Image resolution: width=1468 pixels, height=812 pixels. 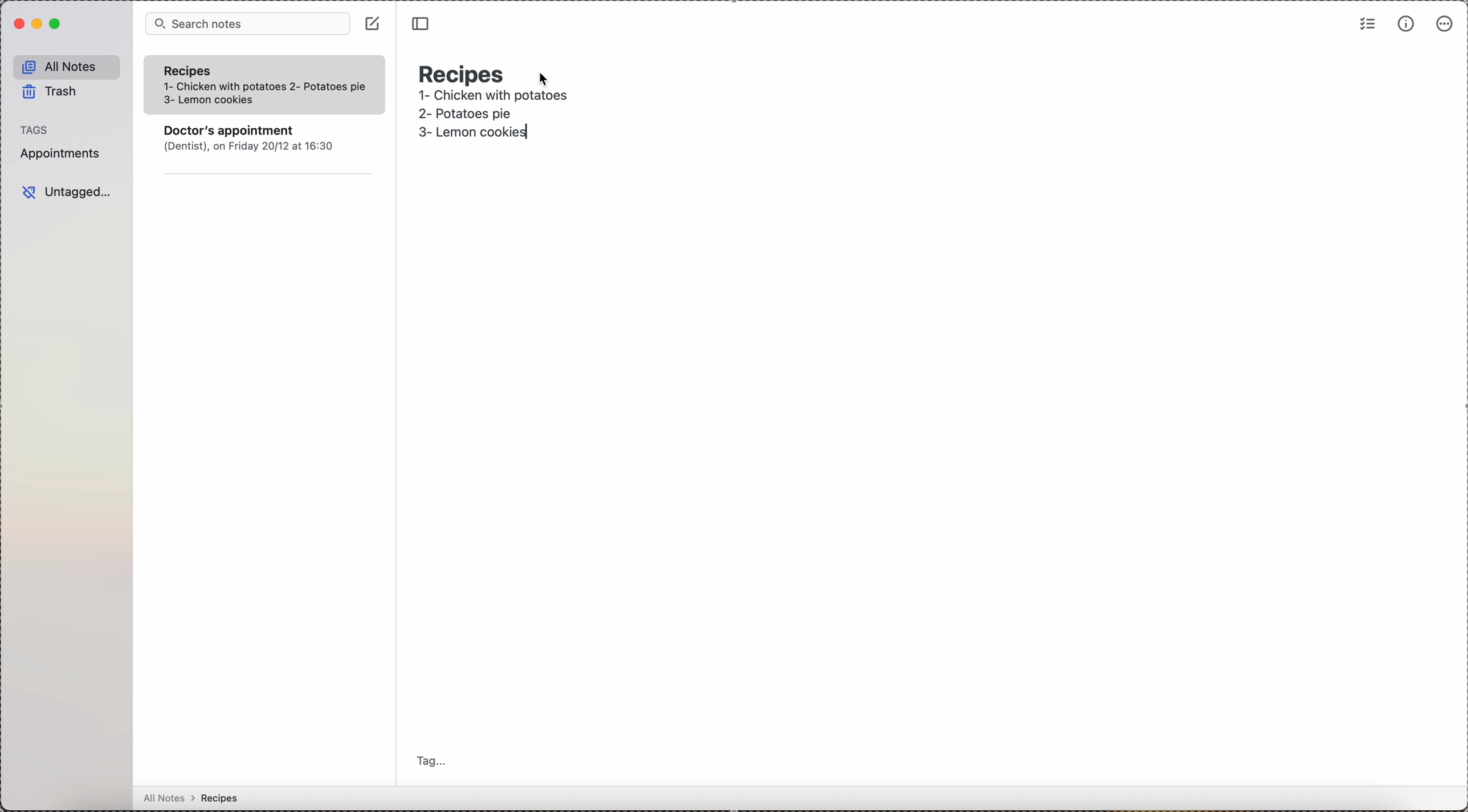 What do you see at coordinates (17, 25) in the screenshot?
I see `close simplenote` at bounding box center [17, 25].